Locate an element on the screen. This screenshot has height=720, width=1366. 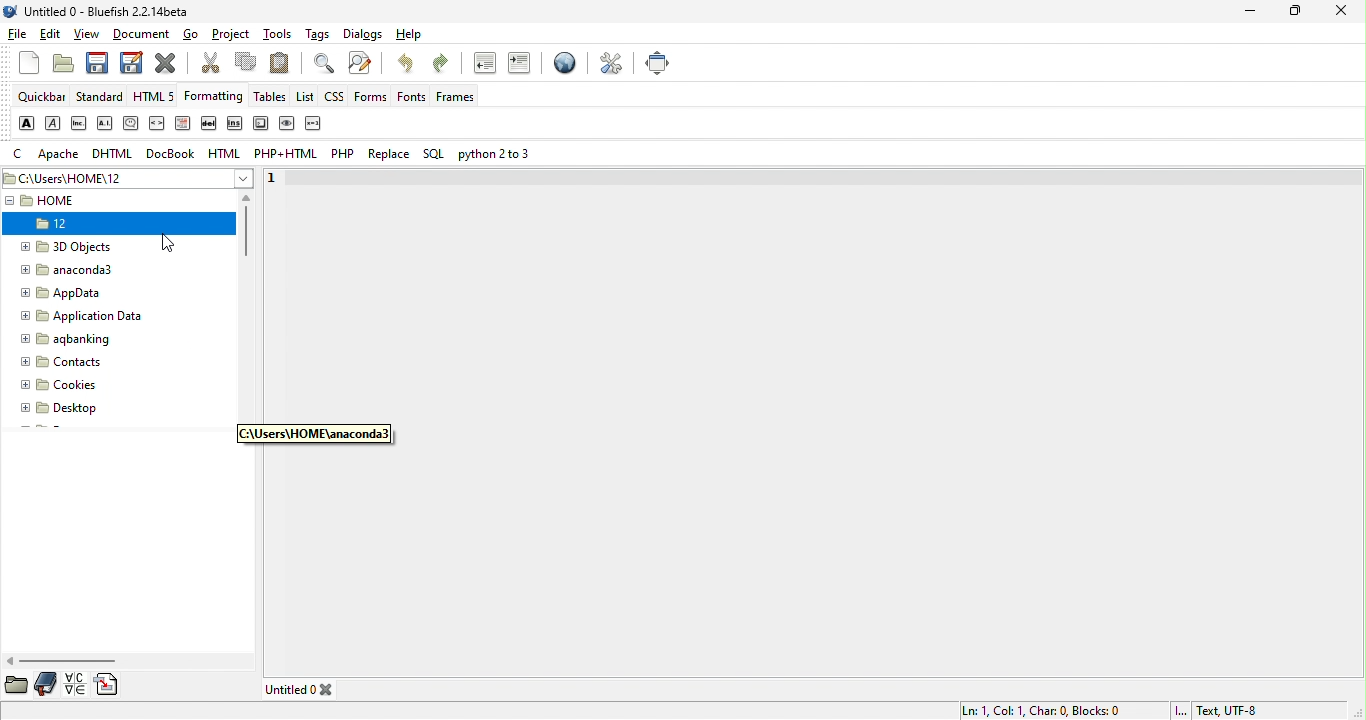
file is located at coordinates (18, 37).